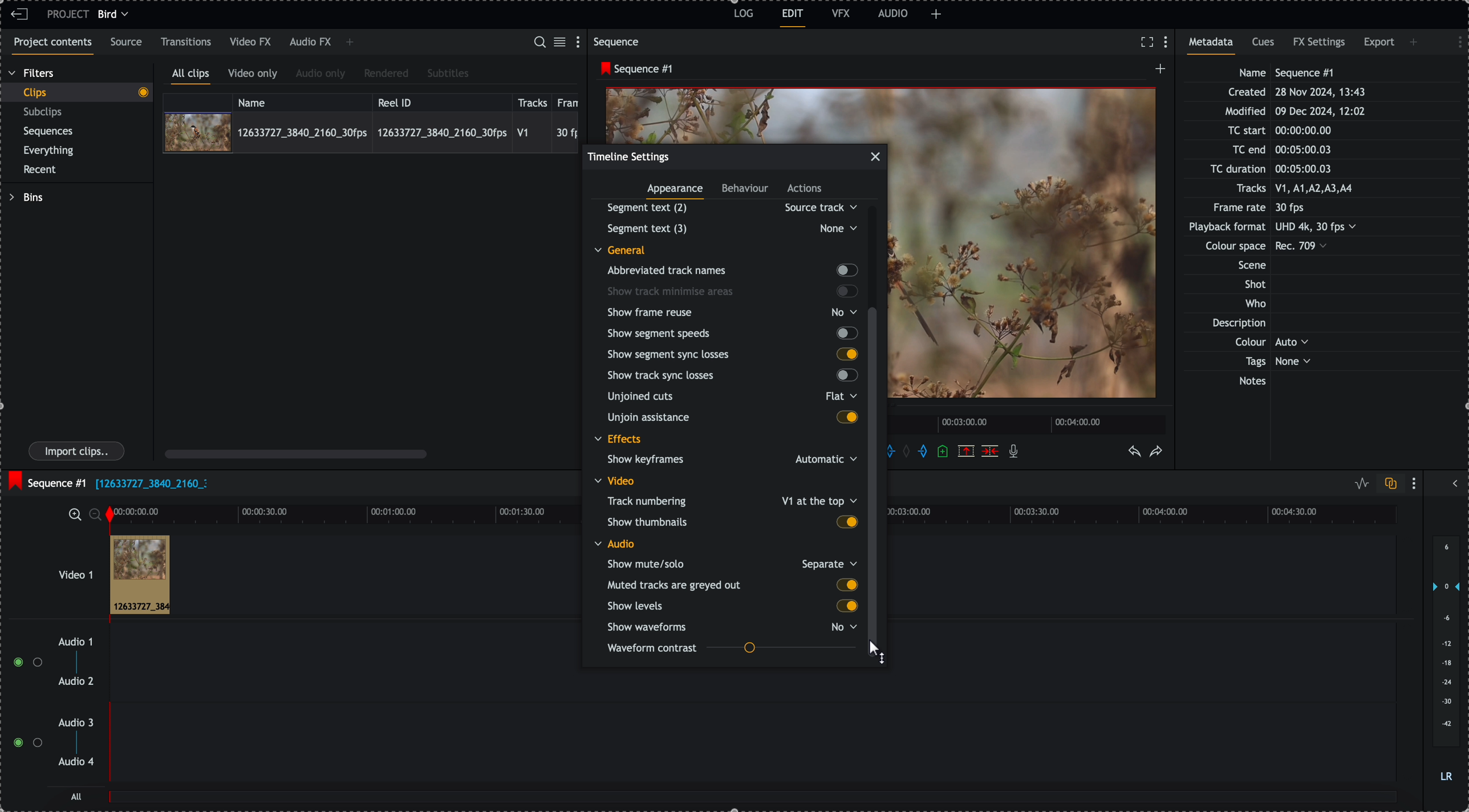 The image size is (1469, 812). Describe the element at coordinates (1415, 42) in the screenshot. I see `add panel` at that location.